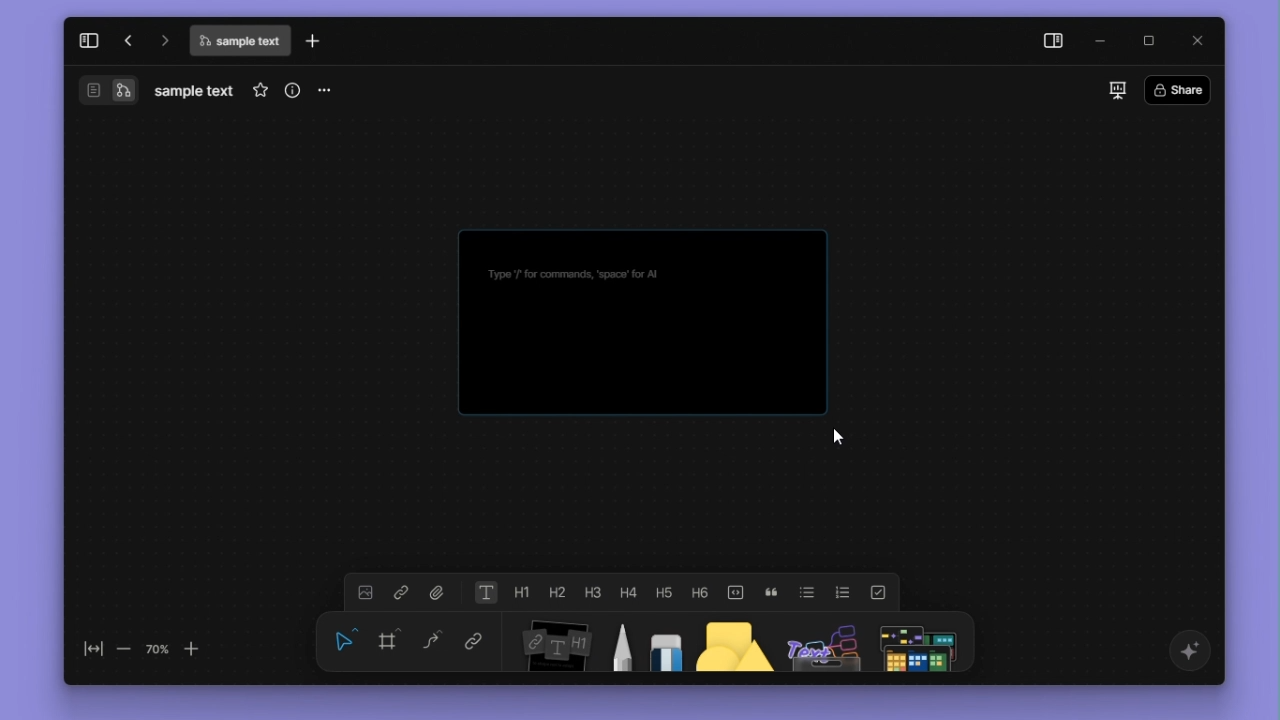 The width and height of the screenshot is (1280, 720). What do you see at coordinates (470, 643) in the screenshot?
I see `link` at bounding box center [470, 643].